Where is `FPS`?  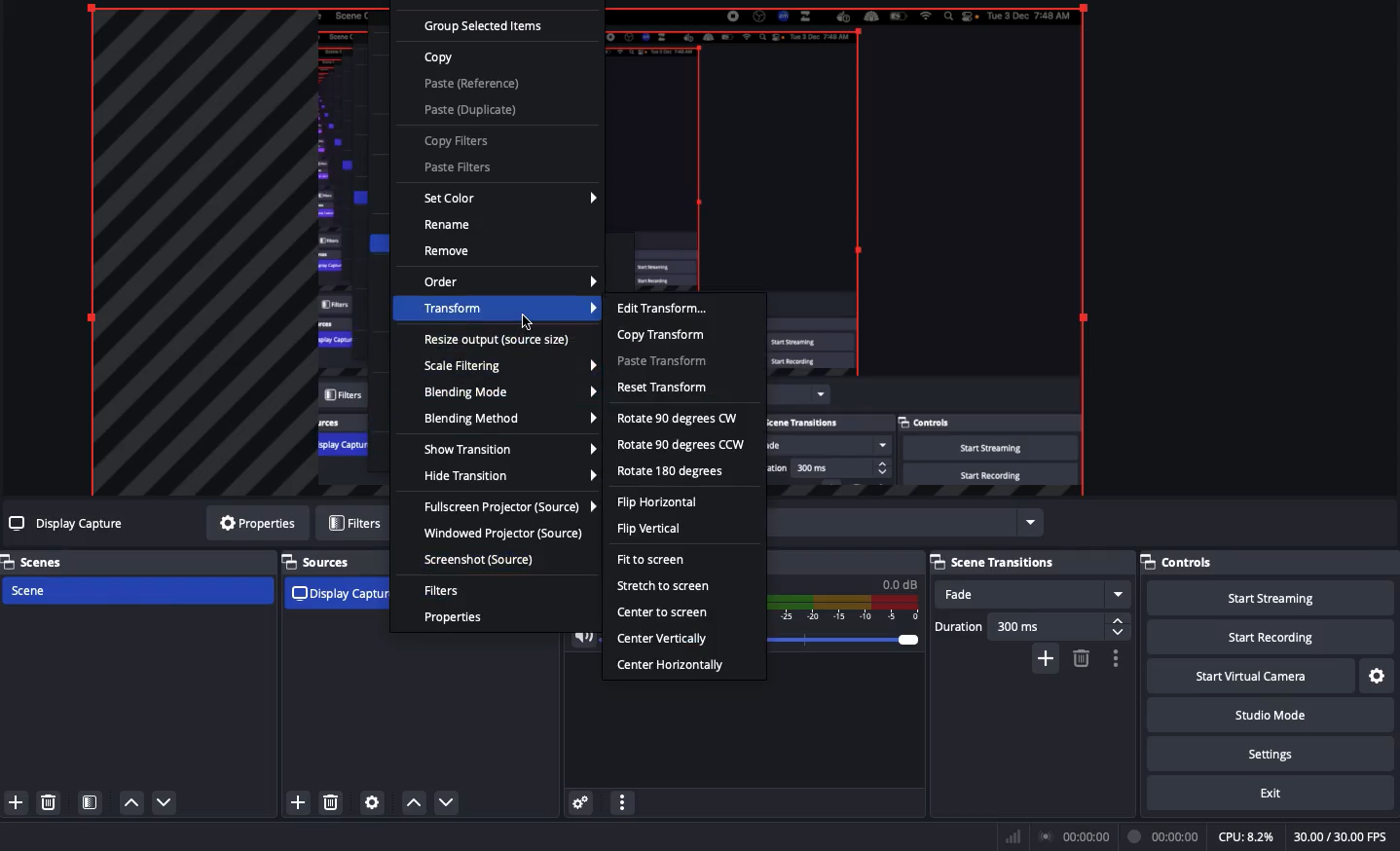 FPS is located at coordinates (1344, 837).